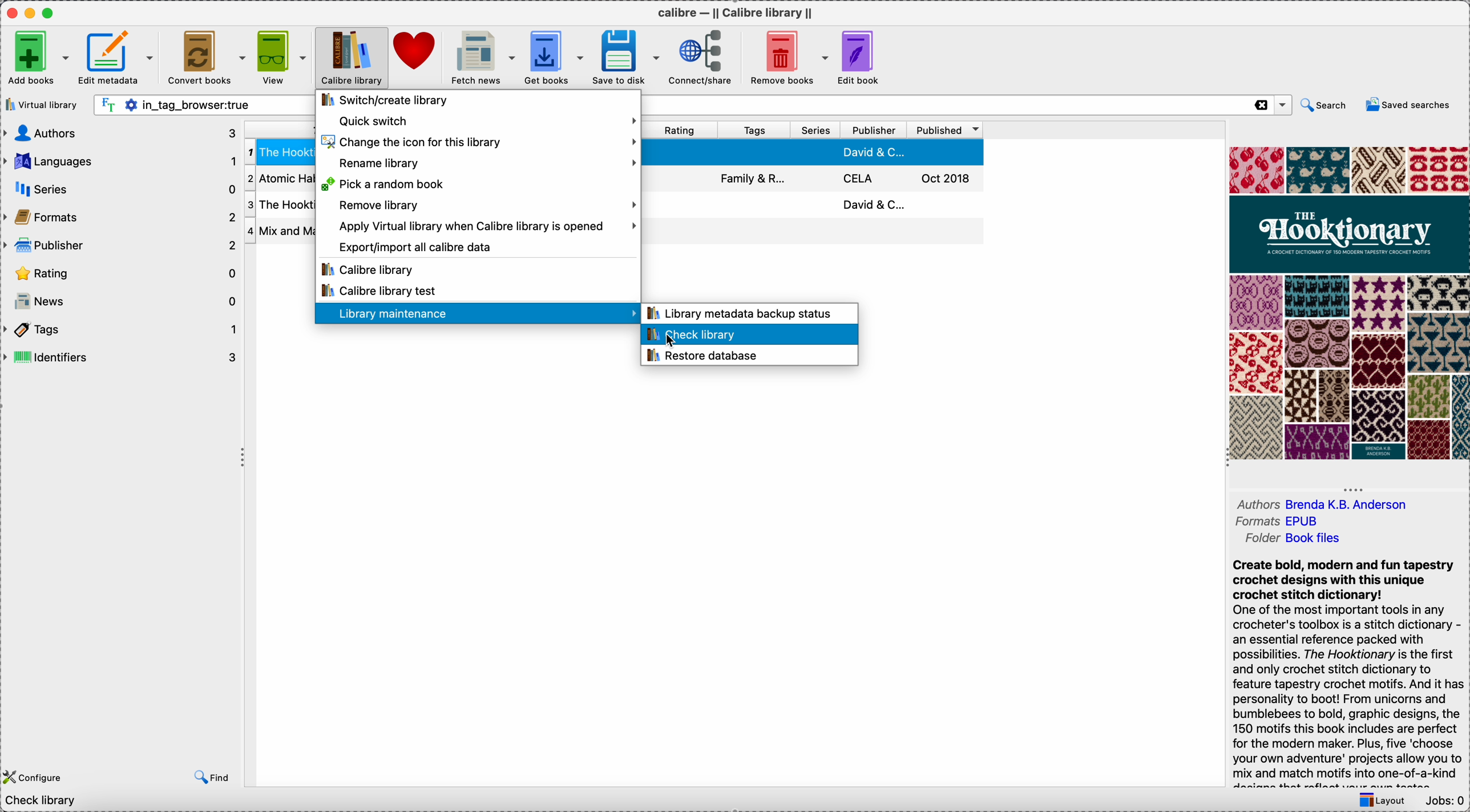 This screenshot has height=812, width=1470. What do you see at coordinates (380, 290) in the screenshot?
I see `Calibre library test` at bounding box center [380, 290].